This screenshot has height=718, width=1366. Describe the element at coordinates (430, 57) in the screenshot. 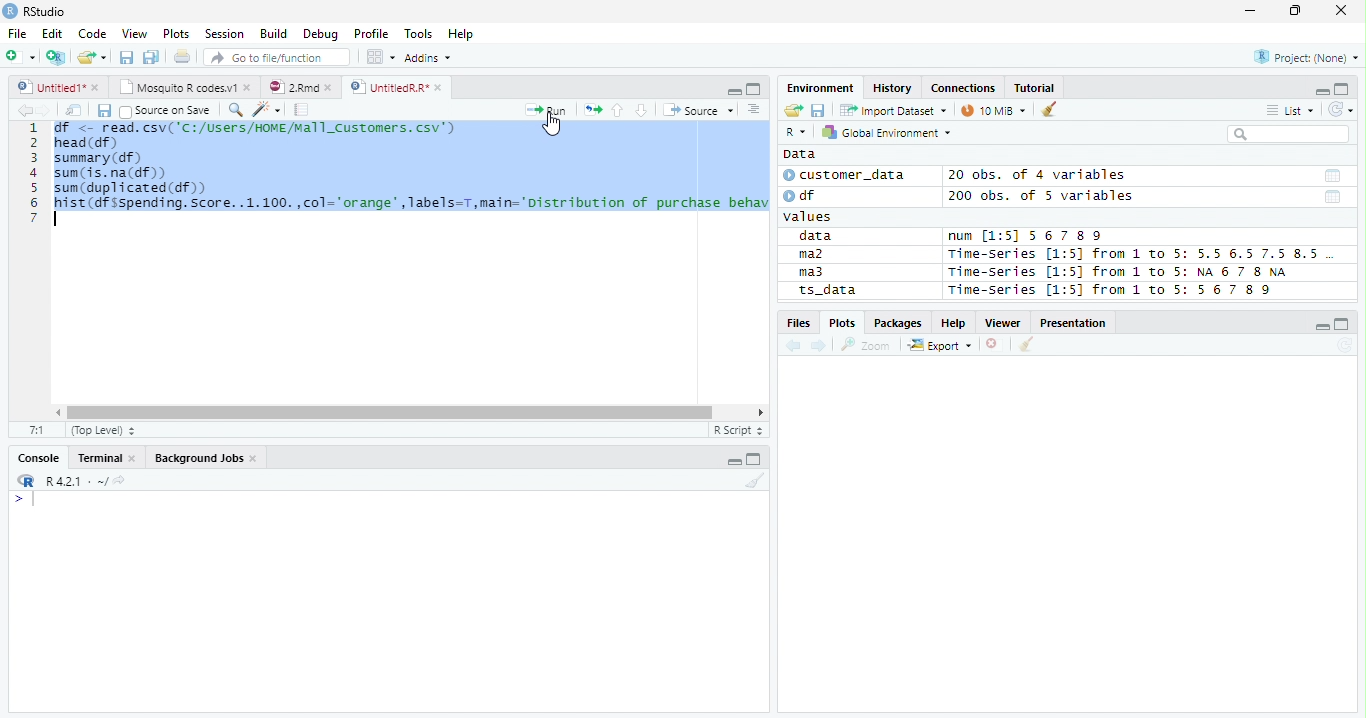

I see `Addins` at that location.